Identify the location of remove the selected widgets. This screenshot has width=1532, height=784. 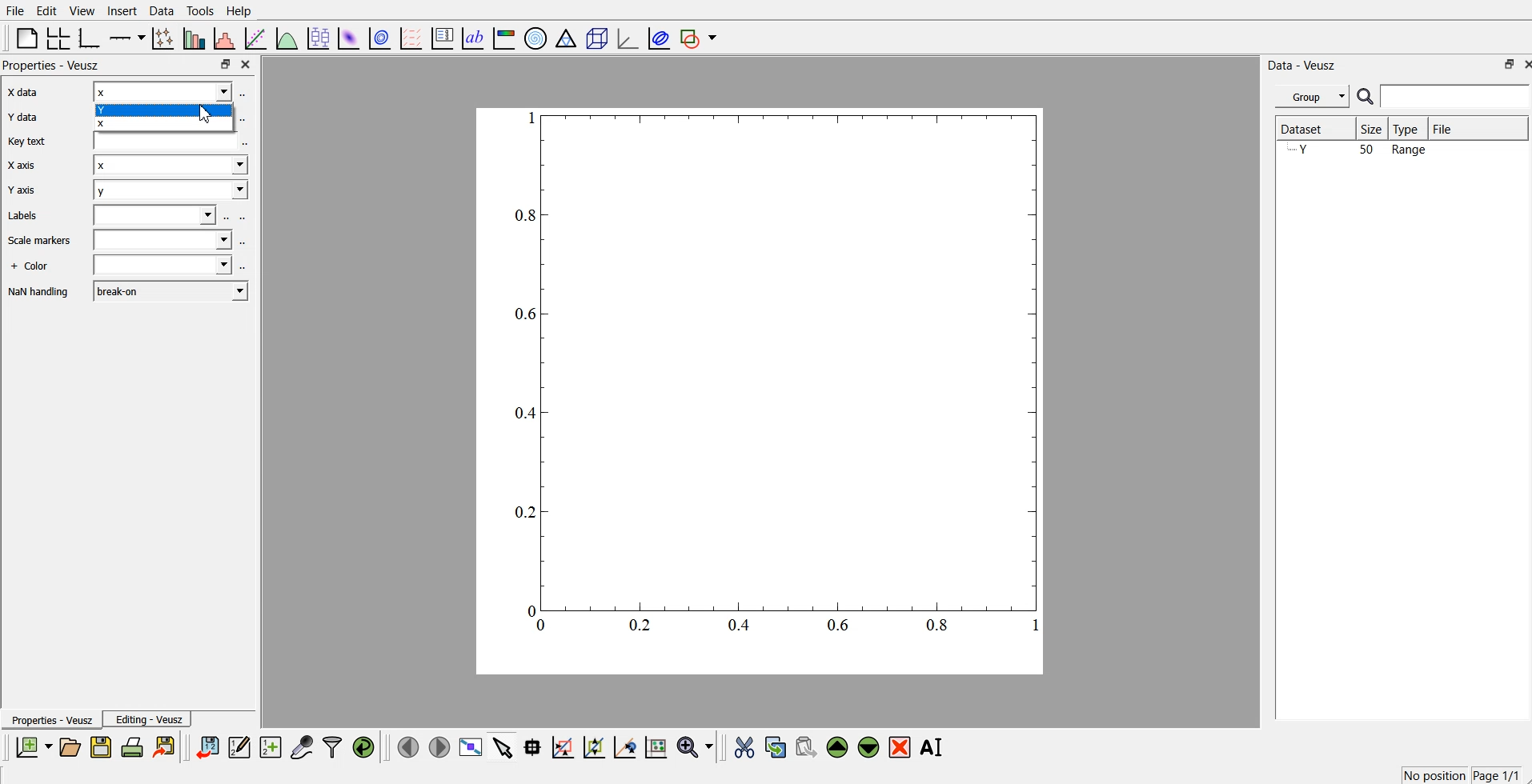
(900, 748).